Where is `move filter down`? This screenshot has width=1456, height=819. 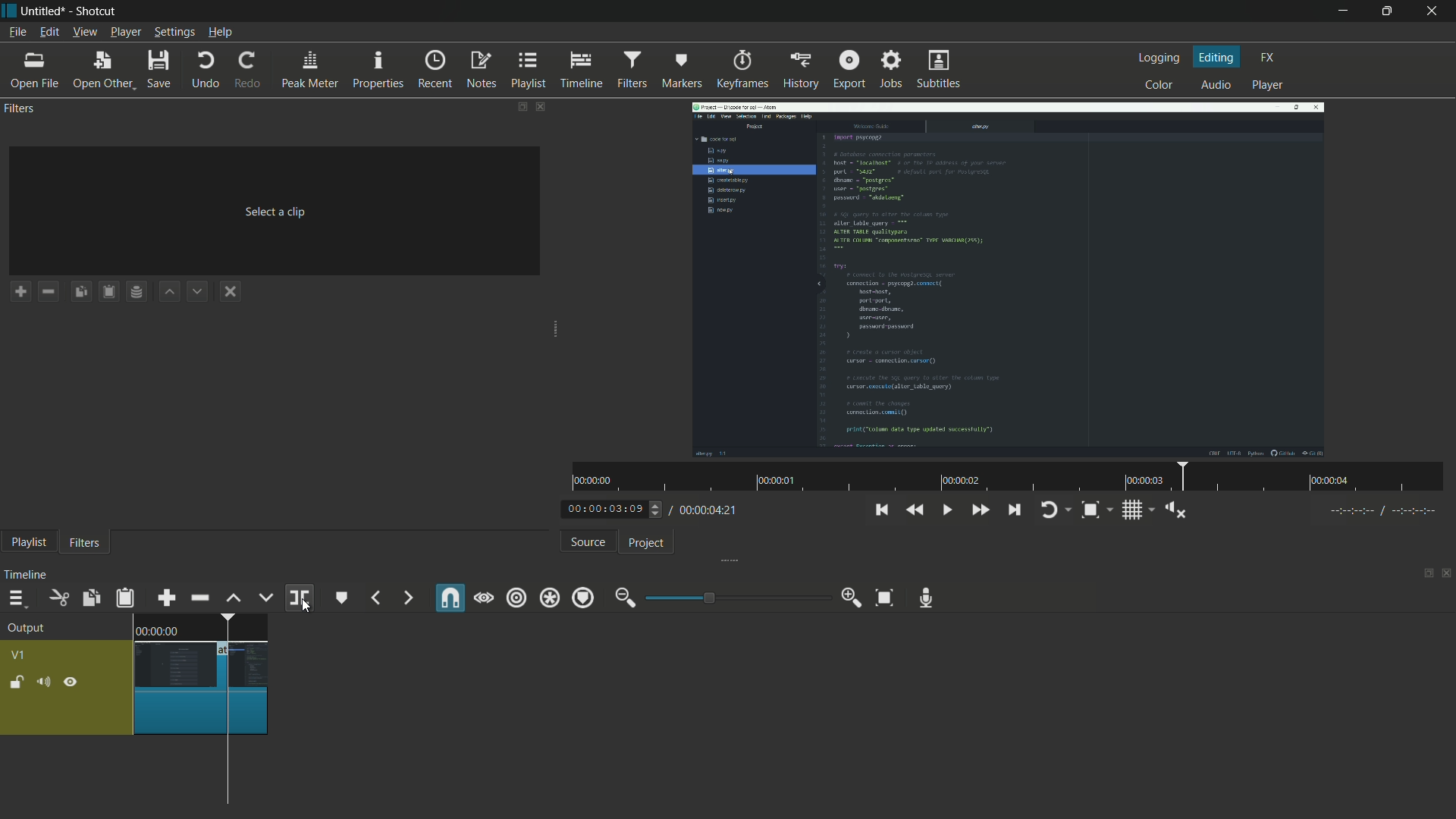 move filter down is located at coordinates (199, 291).